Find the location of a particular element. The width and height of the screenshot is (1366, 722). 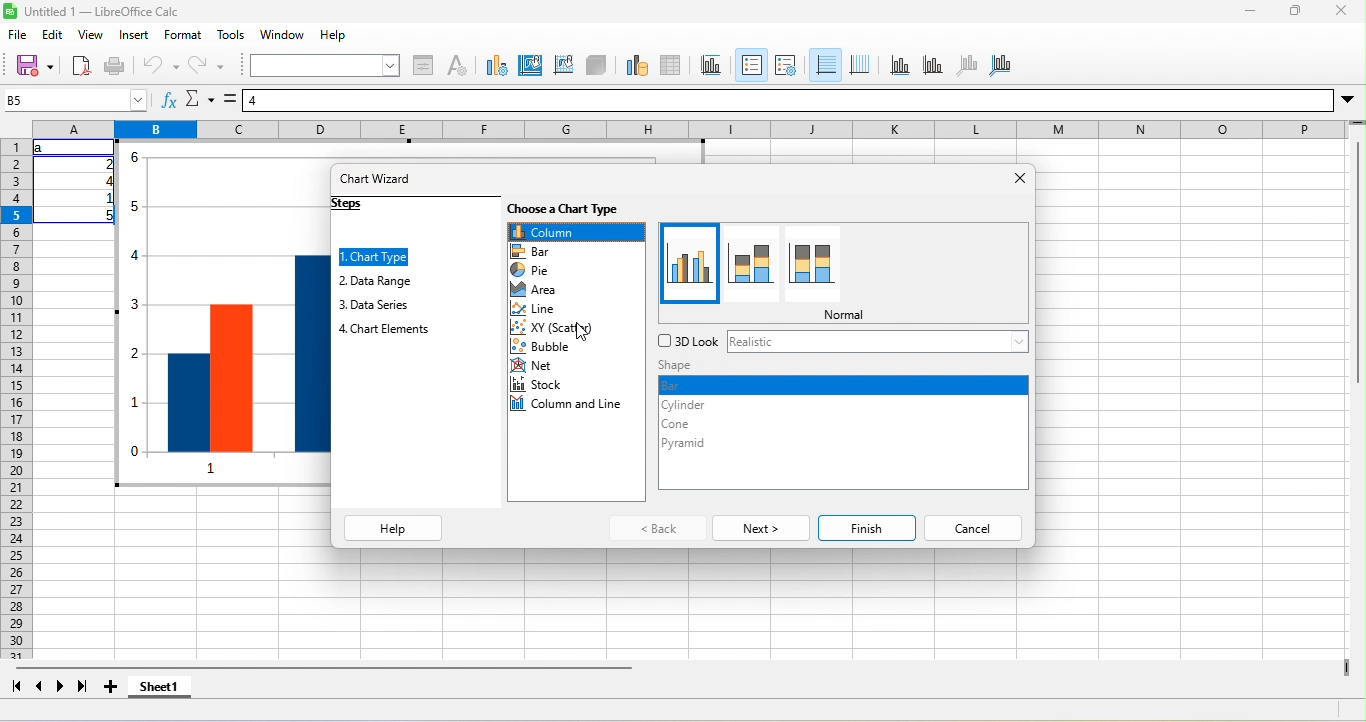

xy is located at coordinates (576, 327).